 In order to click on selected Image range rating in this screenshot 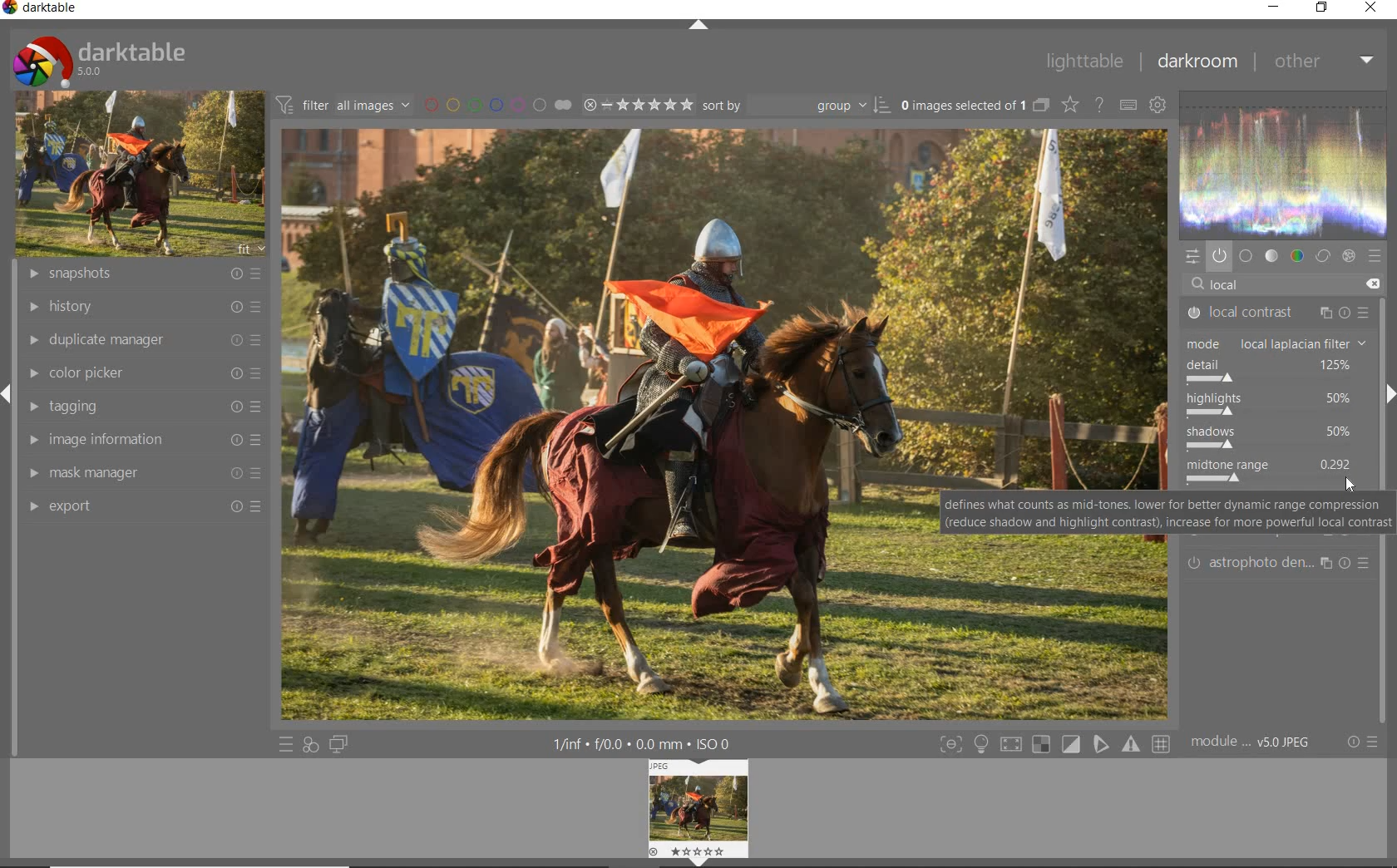, I will do `click(637, 104)`.